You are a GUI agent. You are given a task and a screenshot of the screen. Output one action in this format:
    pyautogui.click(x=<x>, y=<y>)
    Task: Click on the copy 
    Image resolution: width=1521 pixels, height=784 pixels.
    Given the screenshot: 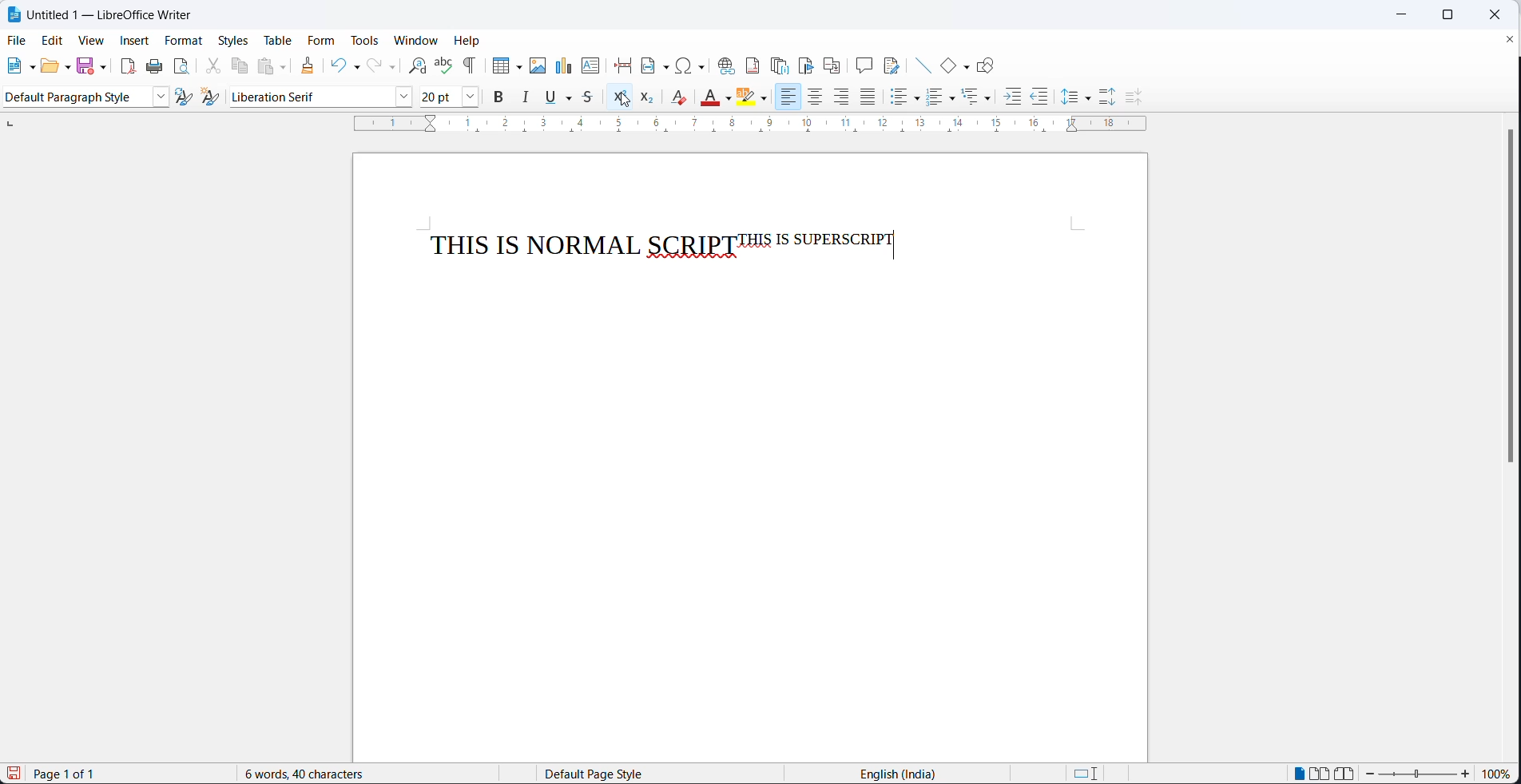 What is the action you would take?
    pyautogui.click(x=240, y=65)
    